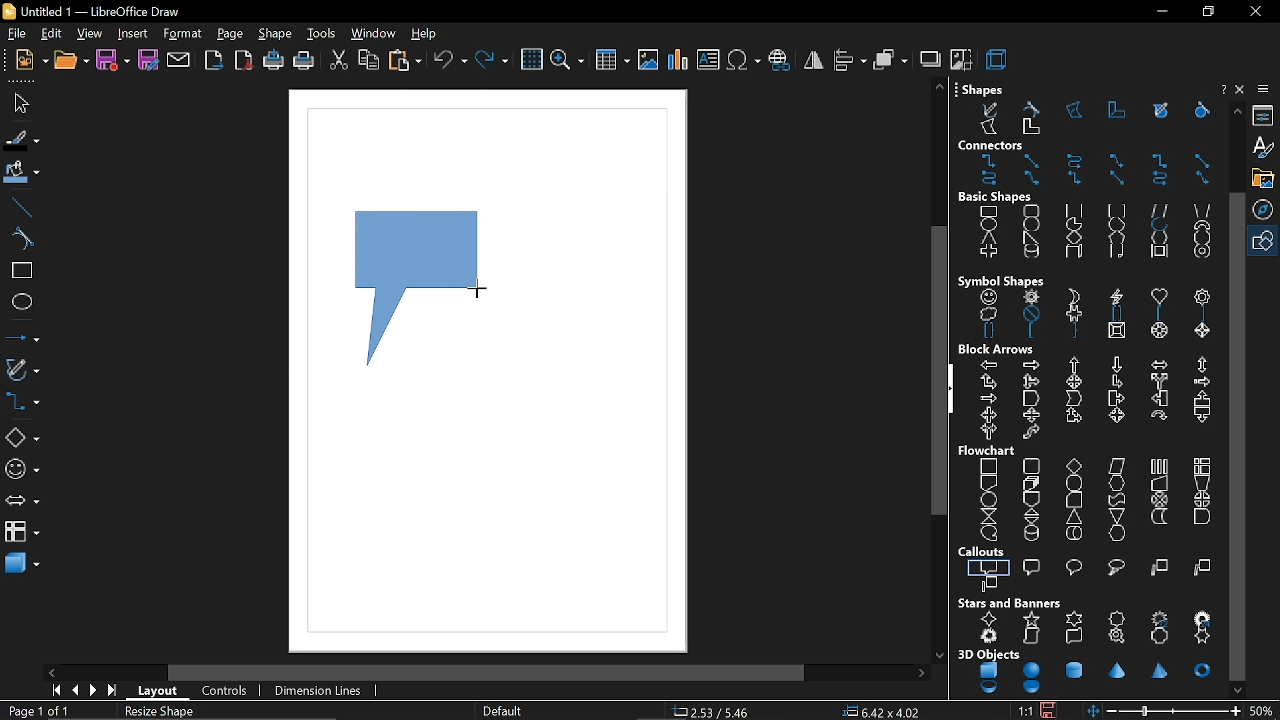 This screenshot has width=1280, height=720. Describe the element at coordinates (568, 61) in the screenshot. I see `zoom` at that location.